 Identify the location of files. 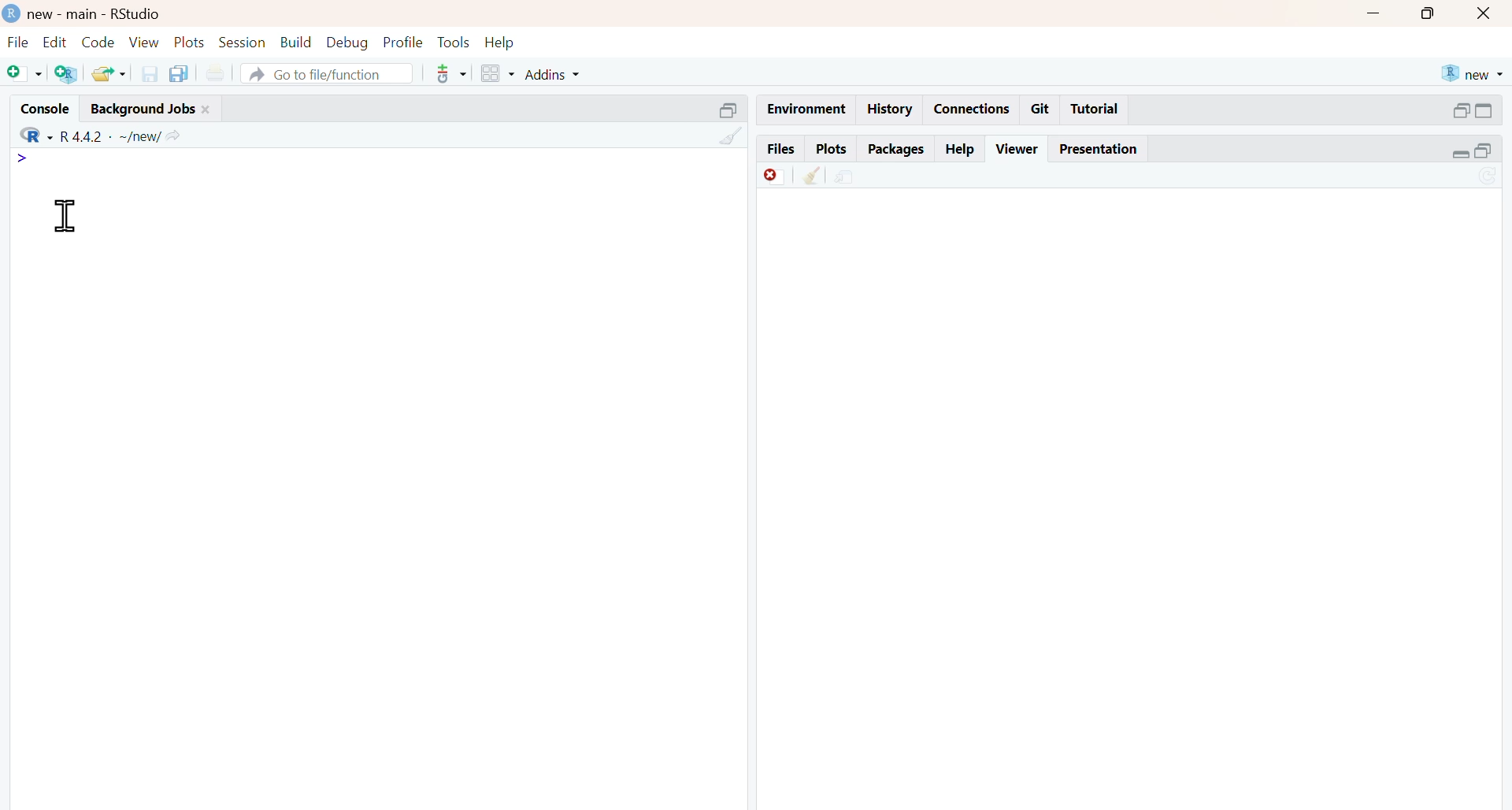
(782, 150).